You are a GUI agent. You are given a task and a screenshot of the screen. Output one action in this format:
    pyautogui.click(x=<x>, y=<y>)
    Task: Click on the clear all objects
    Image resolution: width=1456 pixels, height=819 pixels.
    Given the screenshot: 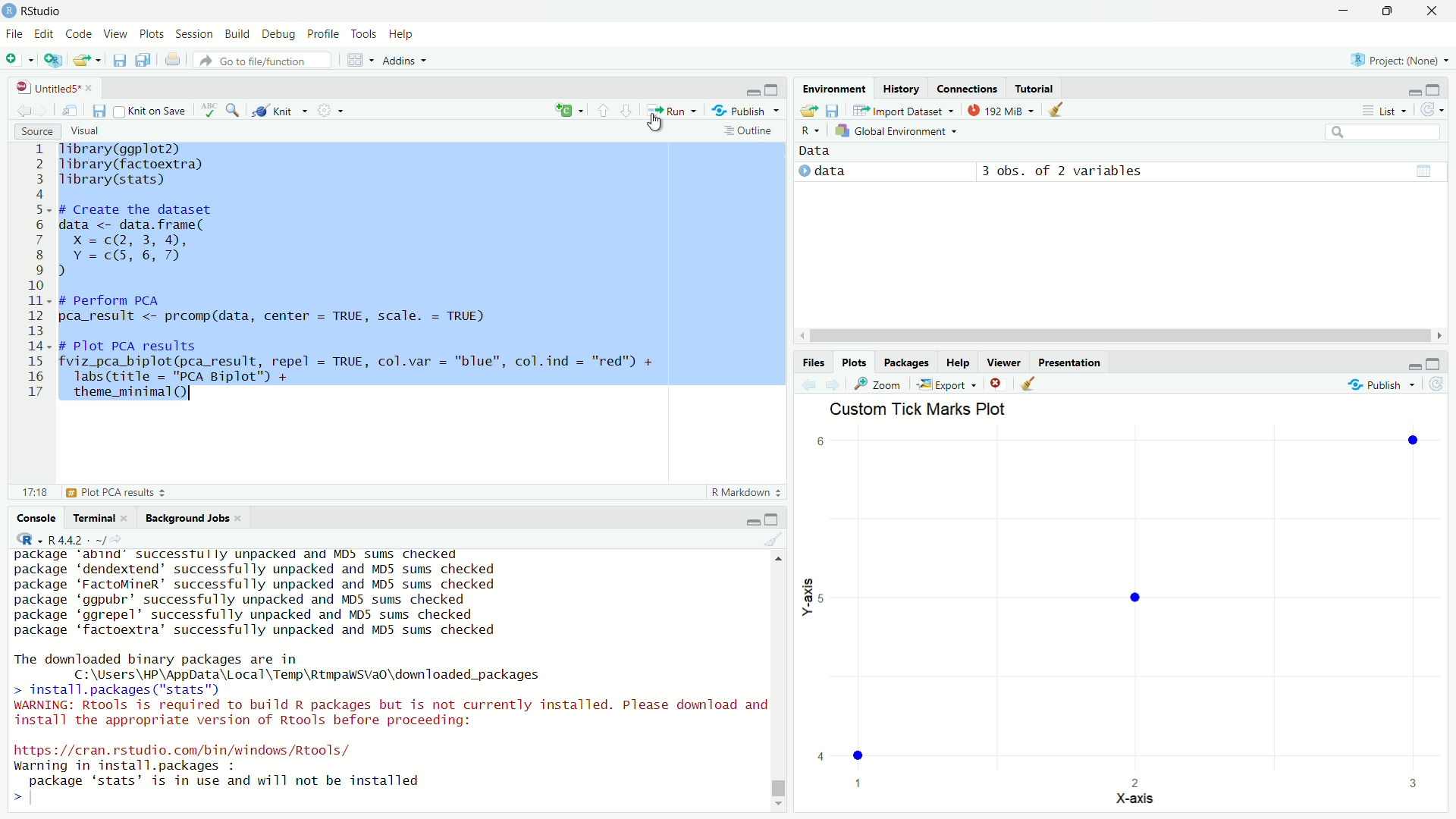 What is the action you would take?
    pyautogui.click(x=1057, y=108)
    